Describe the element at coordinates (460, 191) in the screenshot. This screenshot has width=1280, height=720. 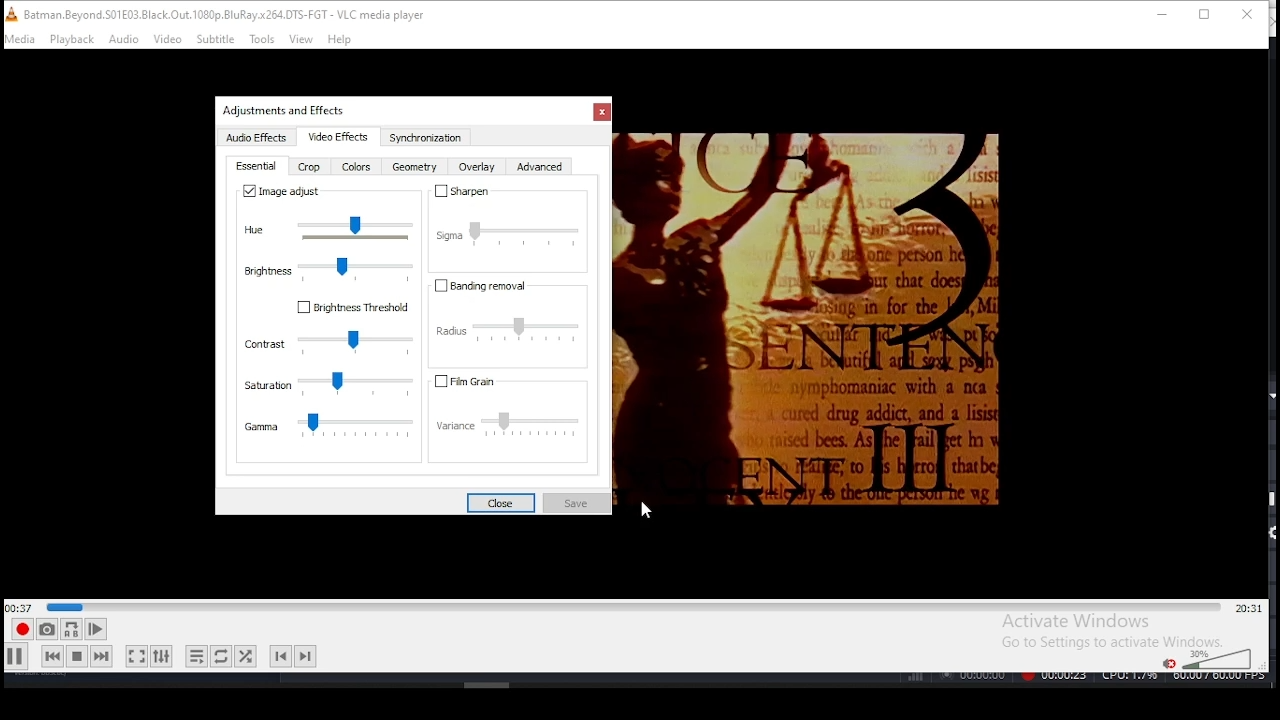
I see `sharpen on/off` at that location.